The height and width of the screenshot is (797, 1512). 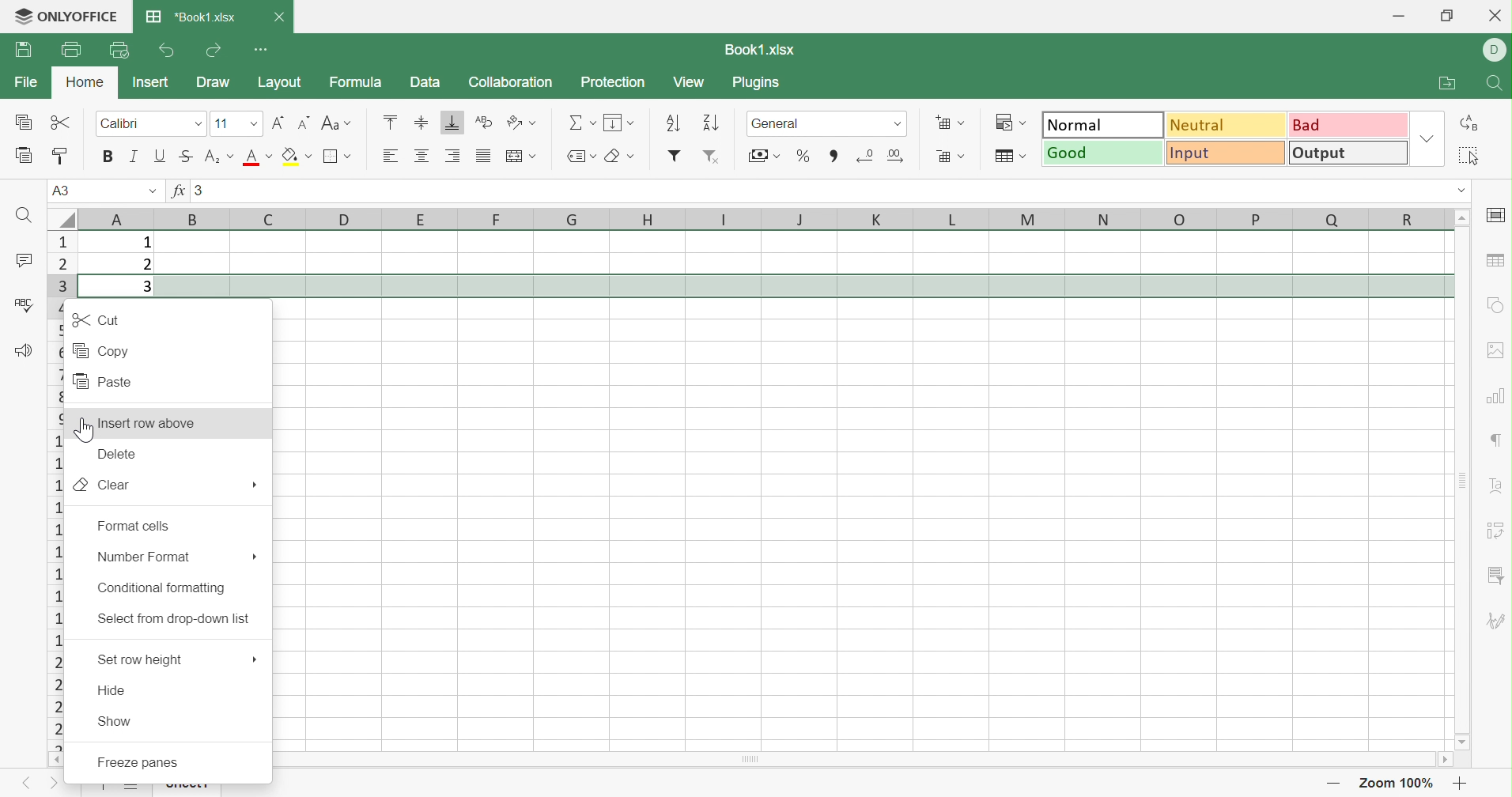 What do you see at coordinates (1495, 436) in the screenshot?
I see `Paragraph settings` at bounding box center [1495, 436].